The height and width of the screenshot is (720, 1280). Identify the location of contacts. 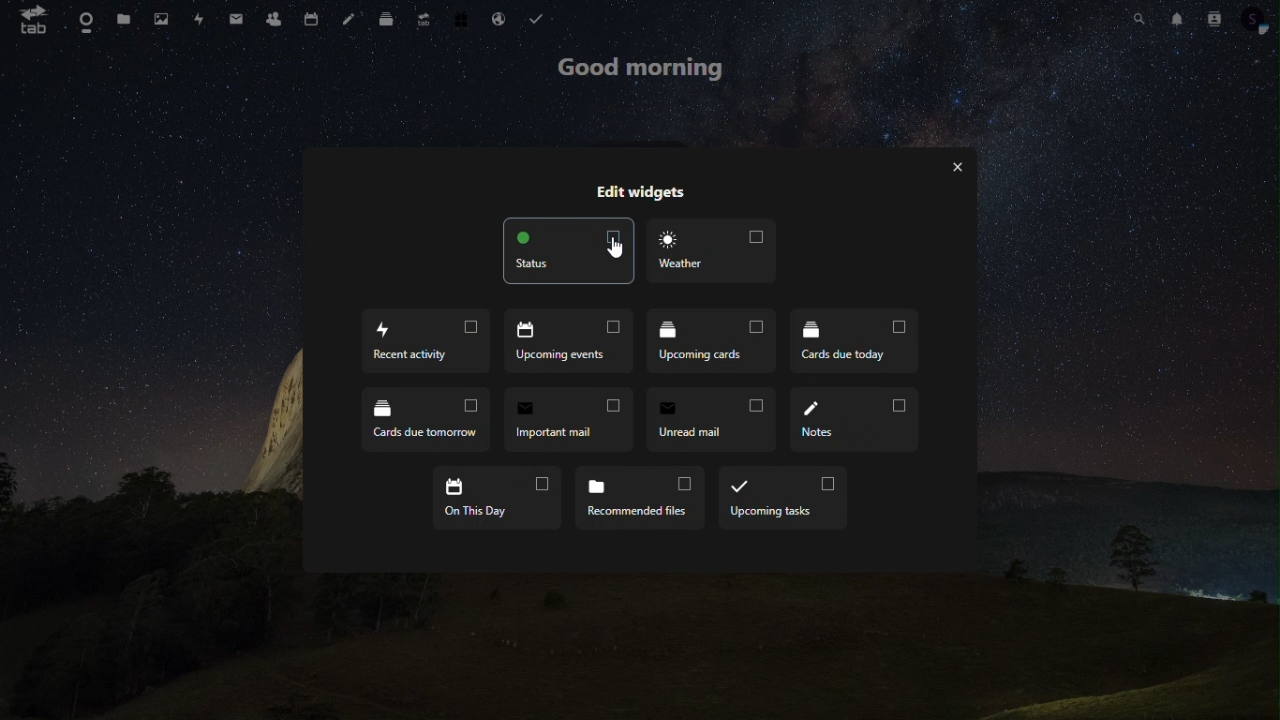
(1216, 21).